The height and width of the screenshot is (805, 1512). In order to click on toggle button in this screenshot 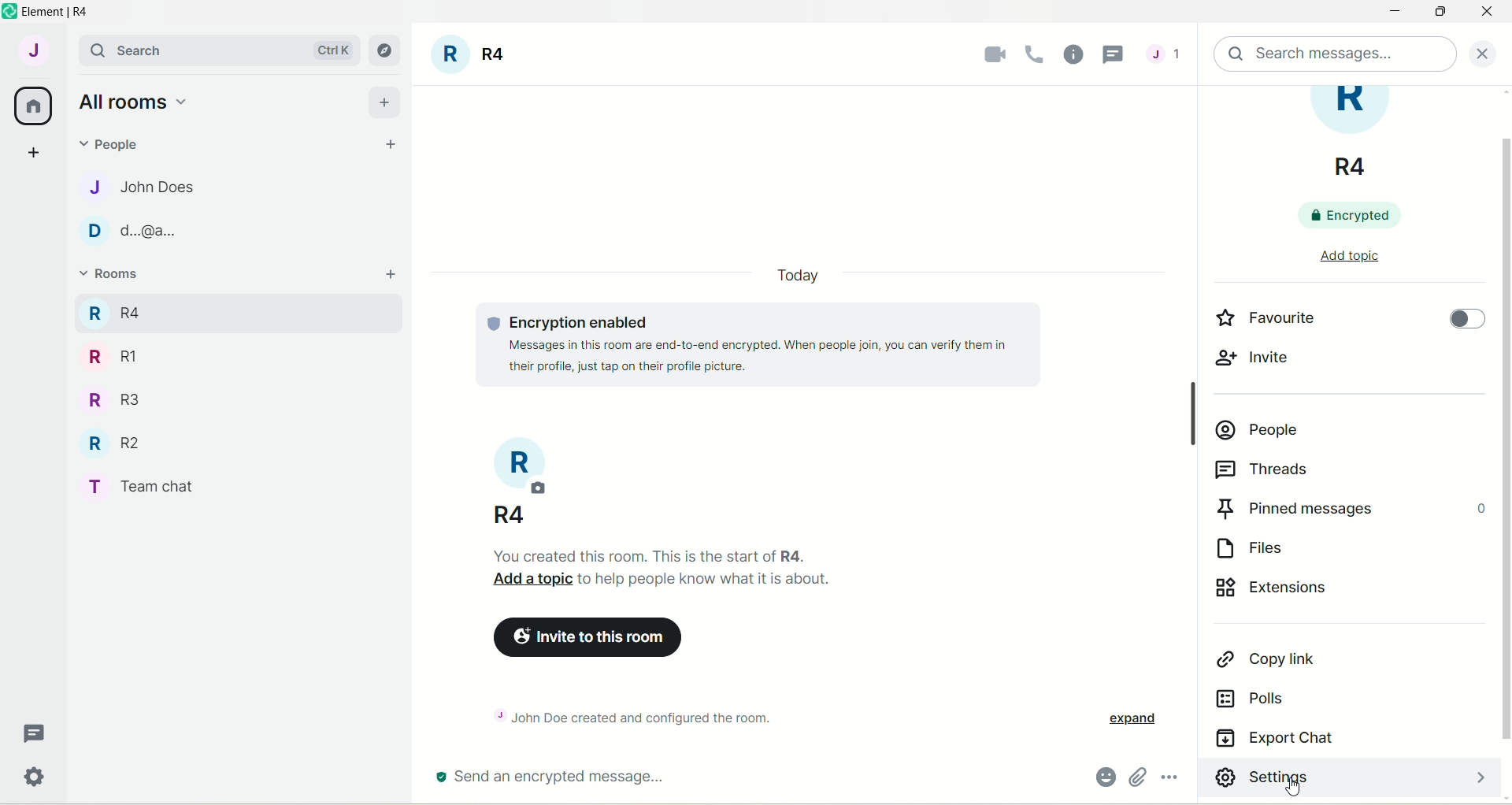, I will do `click(1468, 318)`.